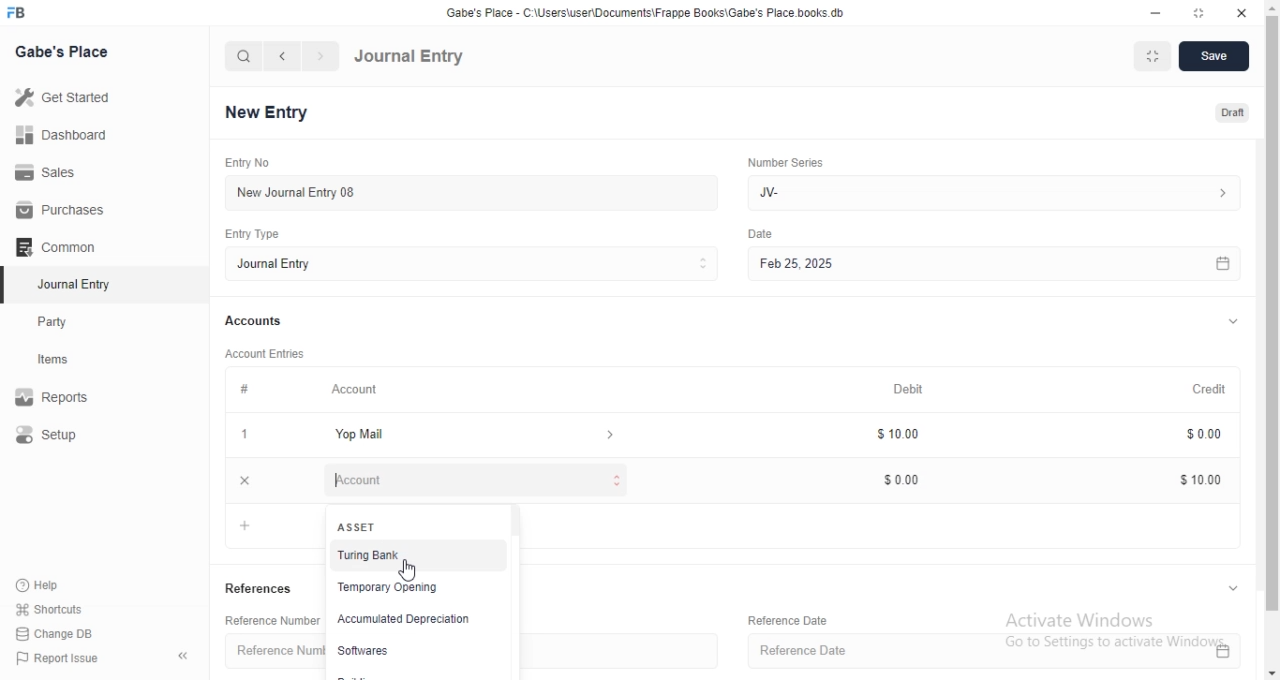  What do you see at coordinates (913, 479) in the screenshot?
I see `$0.00` at bounding box center [913, 479].